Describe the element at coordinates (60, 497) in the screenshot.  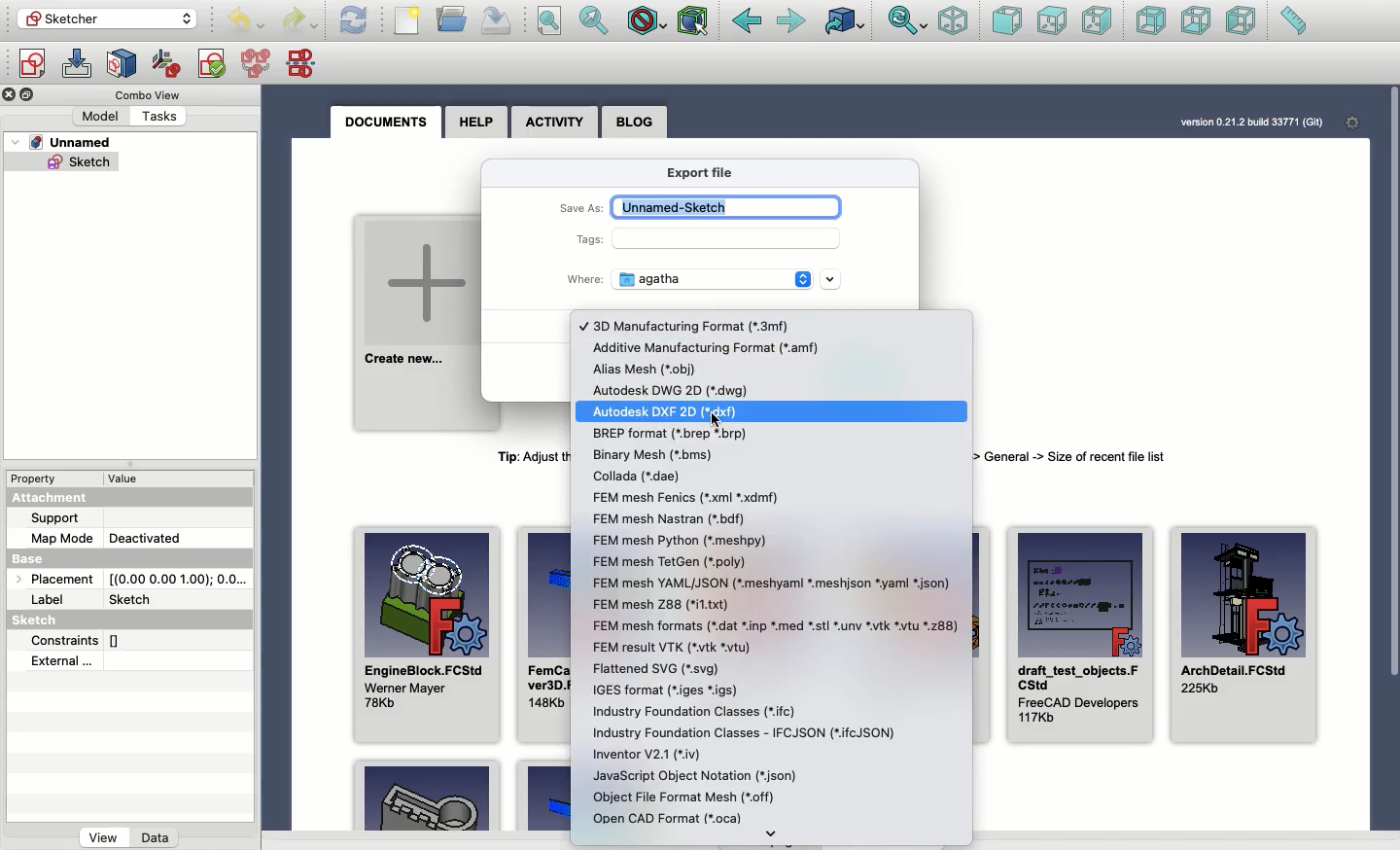
I see `Attachment` at that location.